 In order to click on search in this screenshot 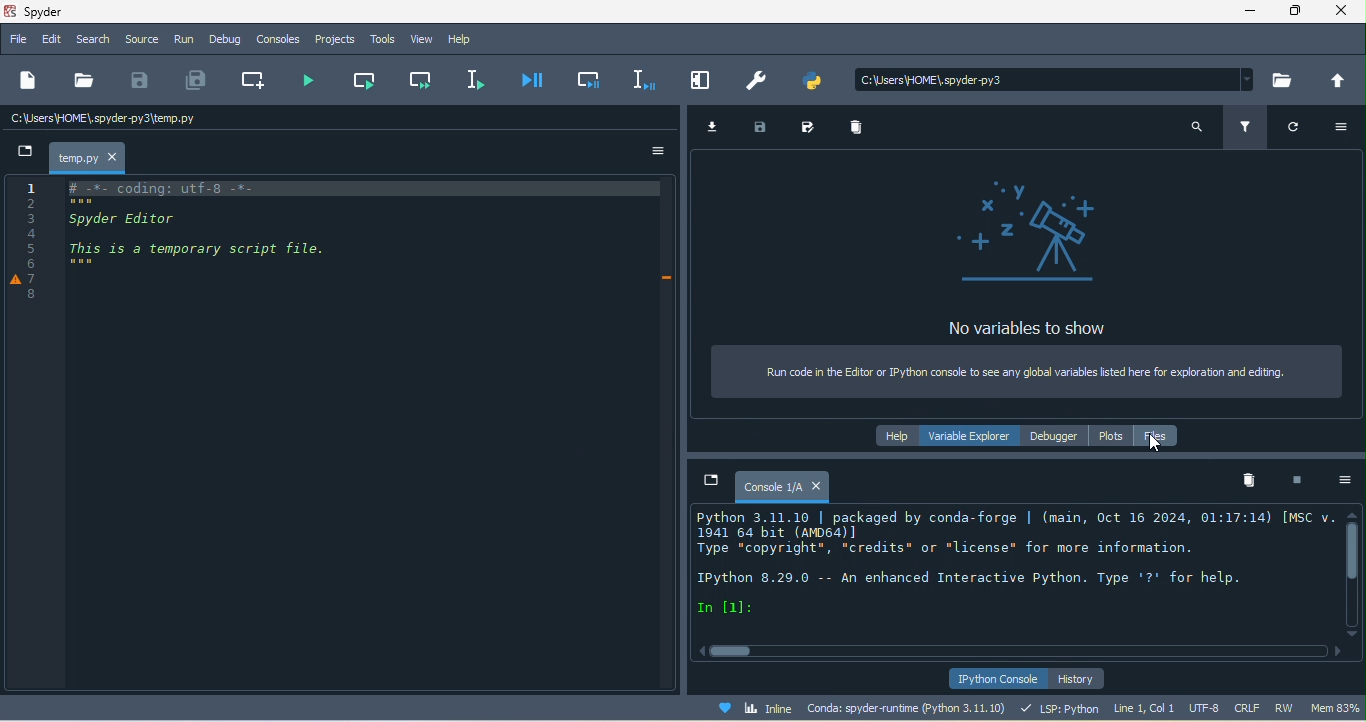, I will do `click(1203, 129)`.